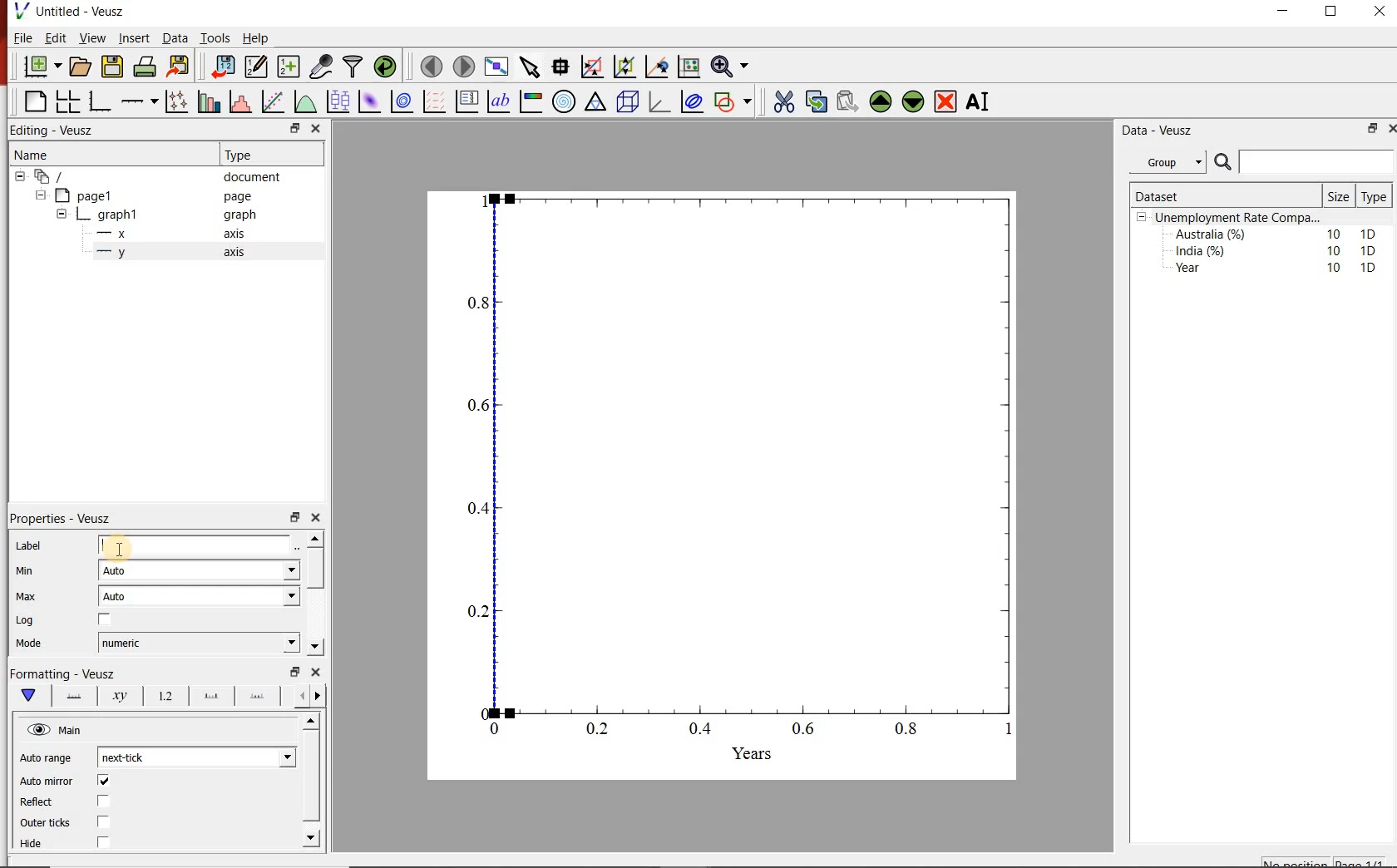  I want to click on plot 2d datasets as image, so click(369, 101).